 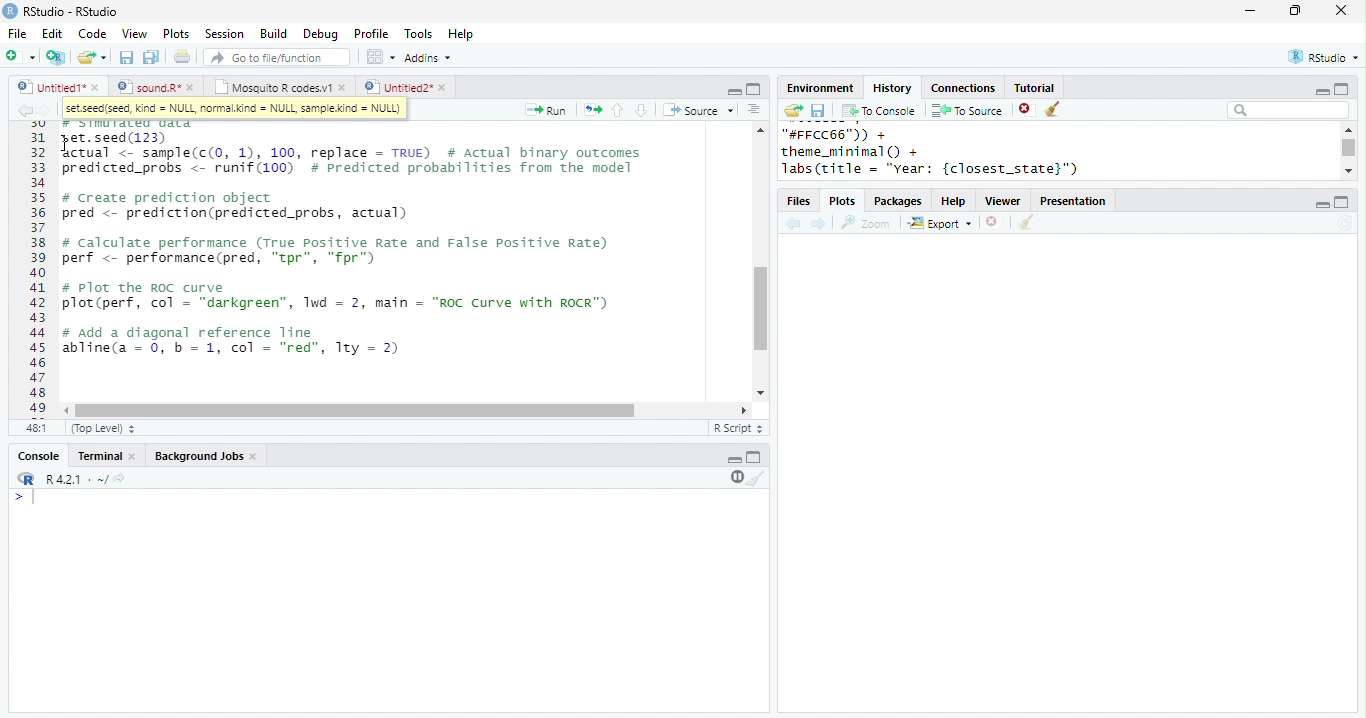 I want to click on clear, so click(x=1054, y=110).